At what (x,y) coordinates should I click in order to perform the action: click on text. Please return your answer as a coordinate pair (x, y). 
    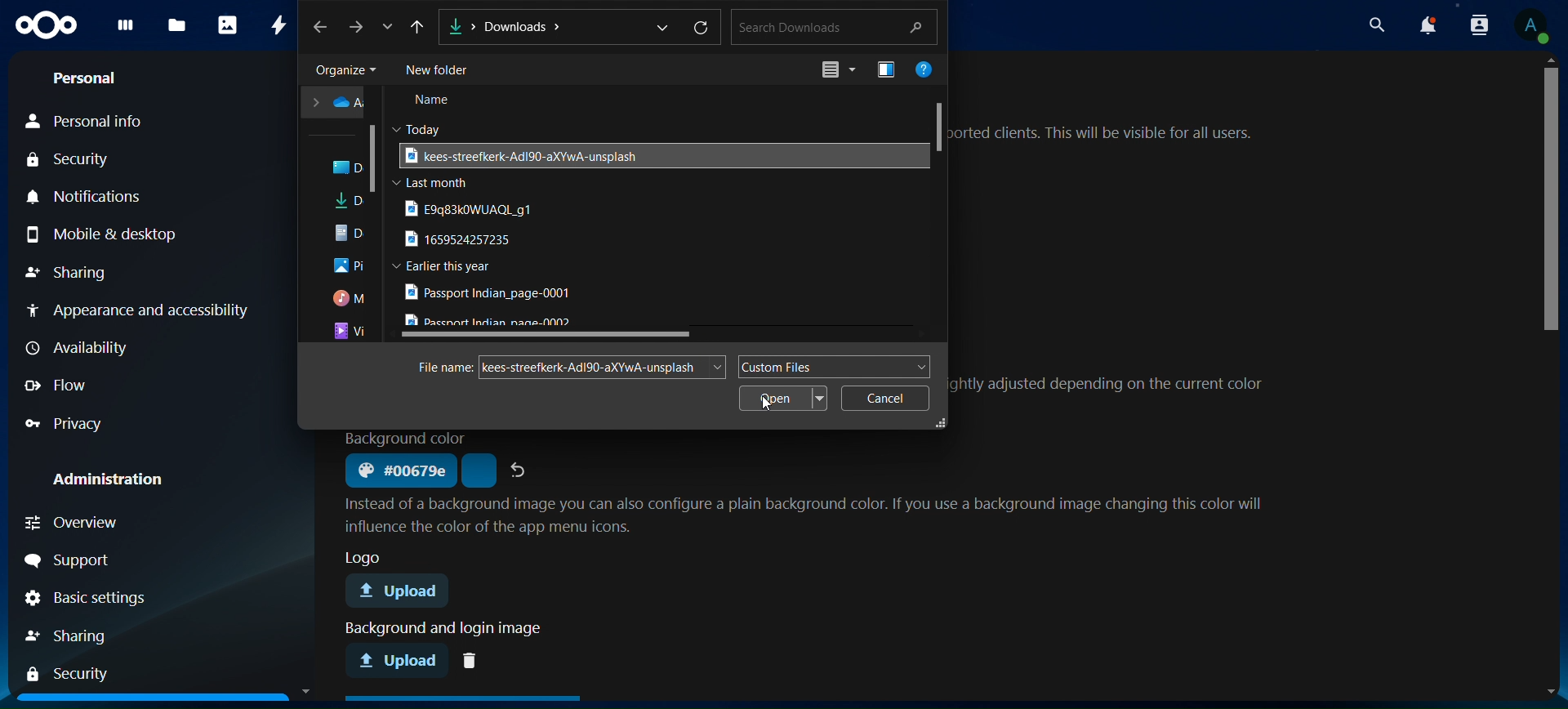
    Looking at the image, I should click on (442, 368).